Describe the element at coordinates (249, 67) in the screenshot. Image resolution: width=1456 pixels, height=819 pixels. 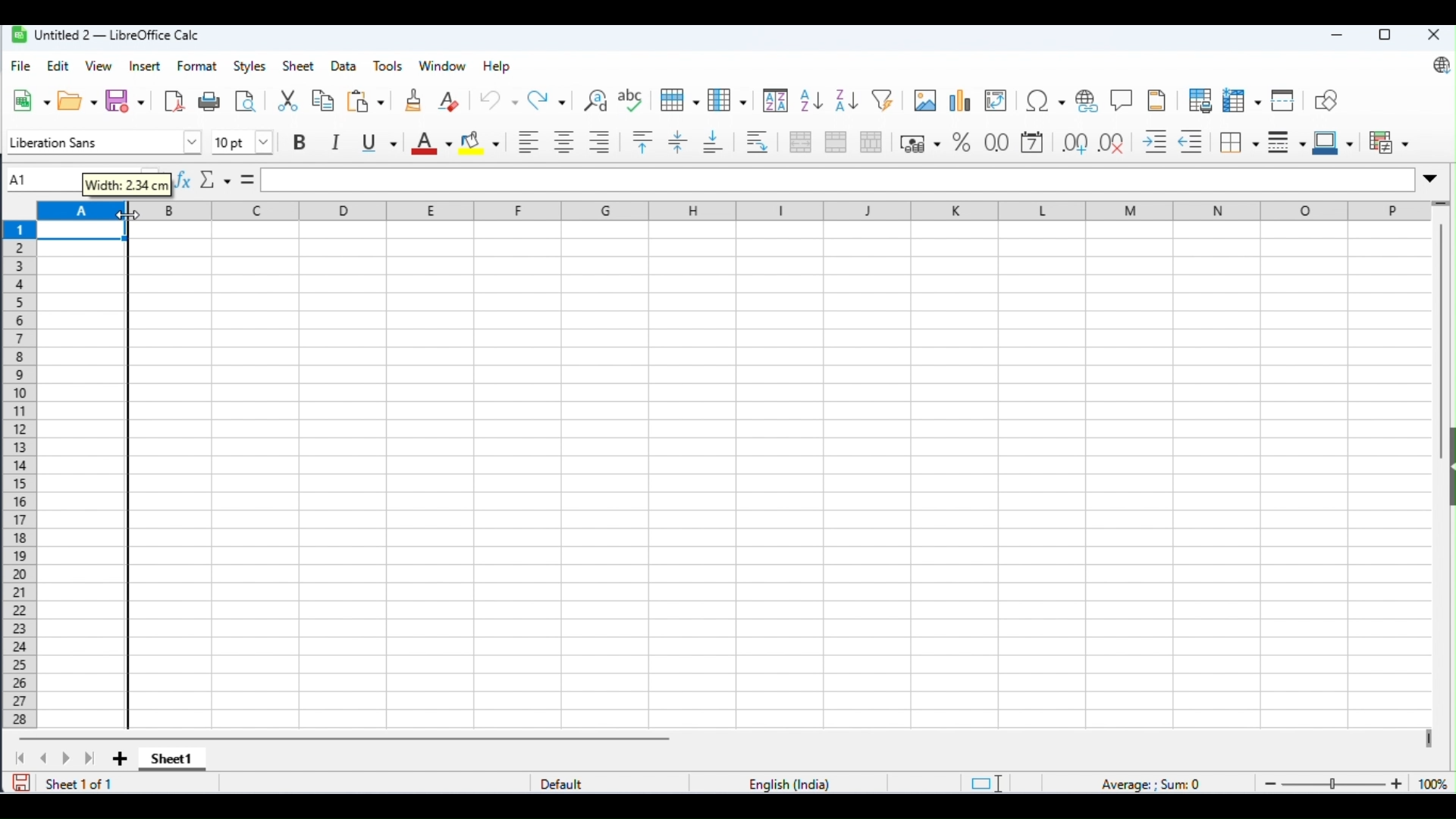
I see `styles` at that location.